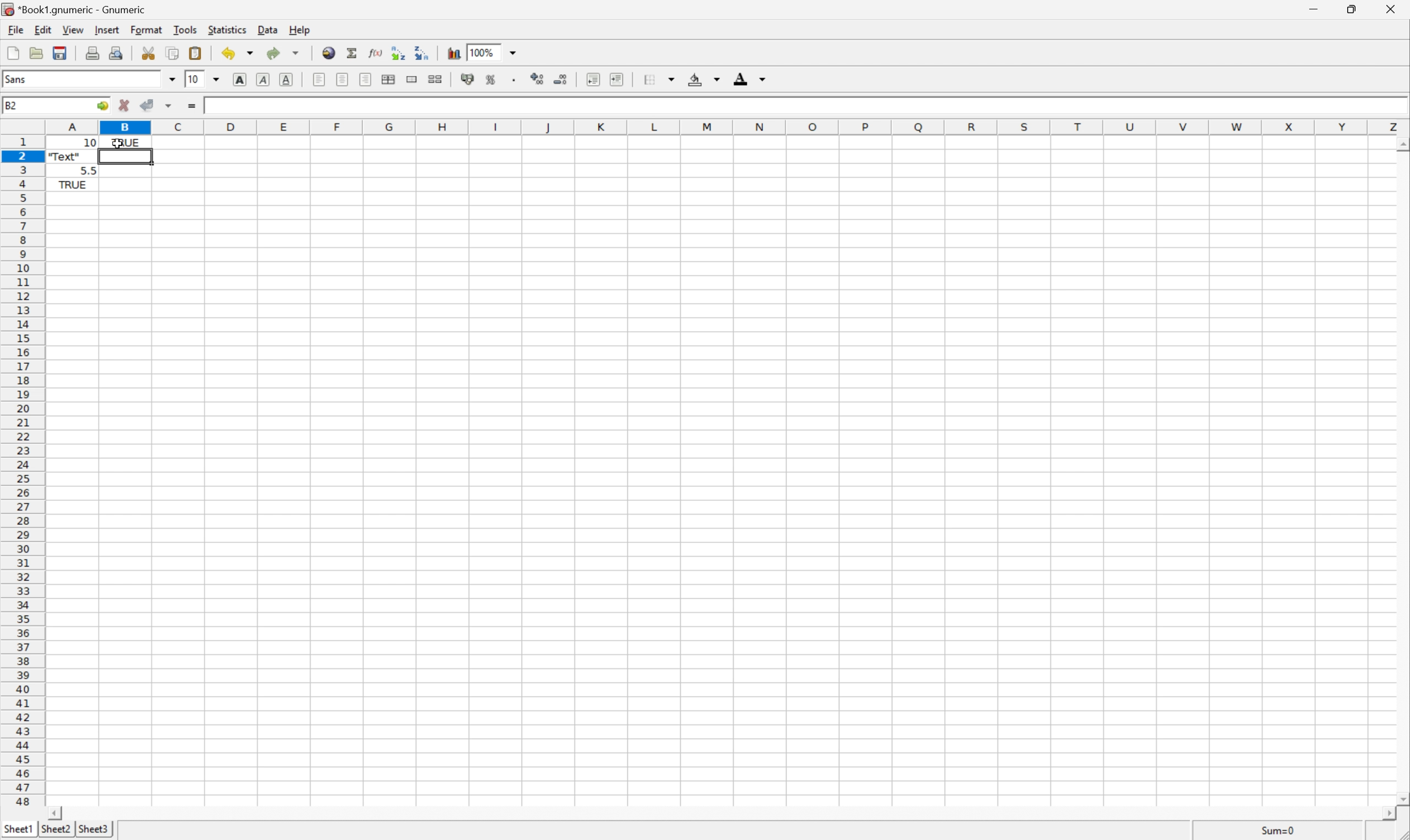  Describe the element at coordinates (302, 29) in the screenshot. I see `Help` at that location.